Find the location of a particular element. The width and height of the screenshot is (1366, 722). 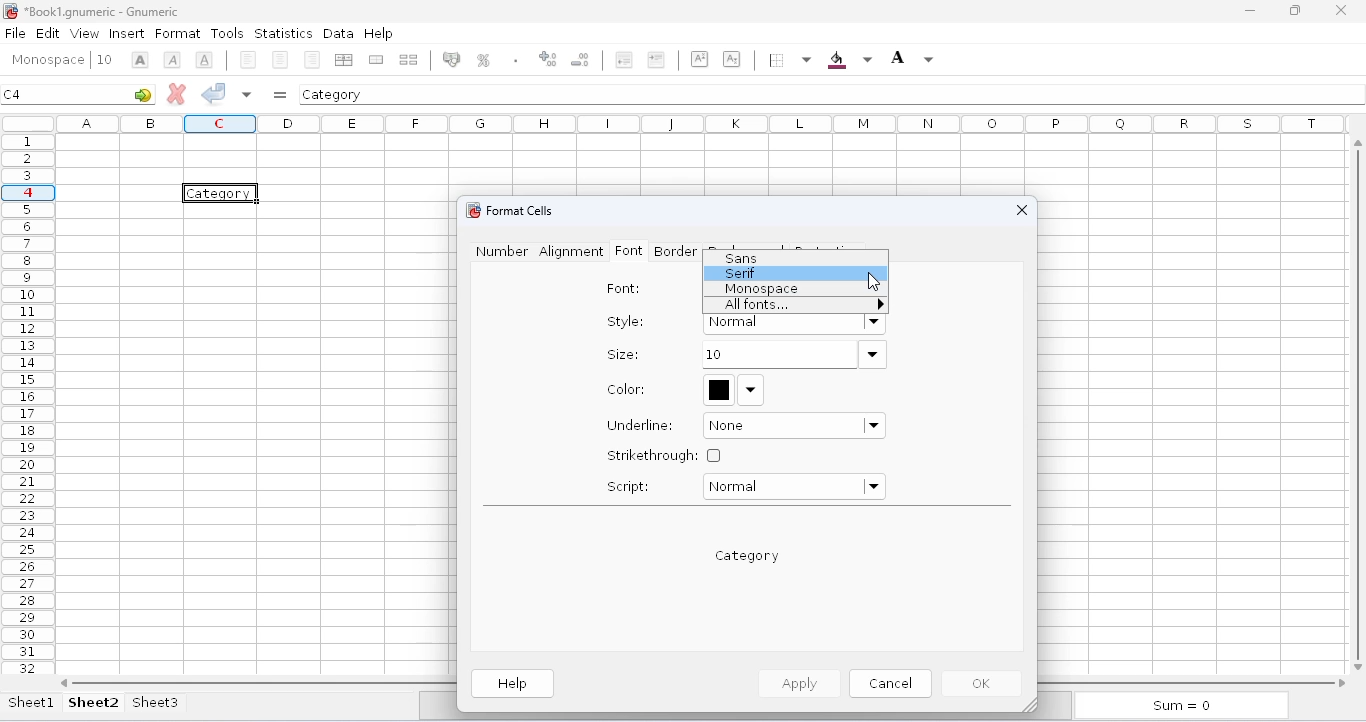

help is located at coordinates (378, 32).